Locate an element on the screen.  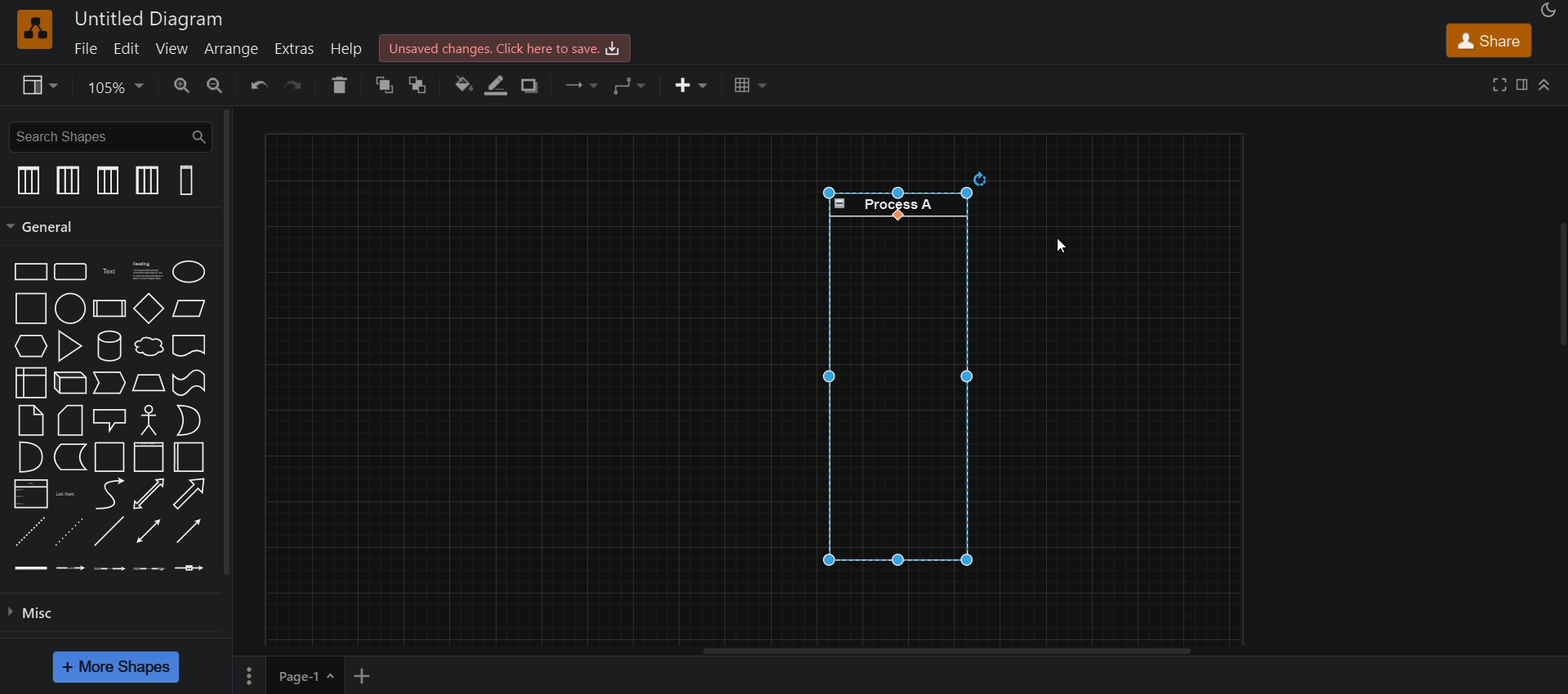
page 1 is located at coordinates (287, 674).